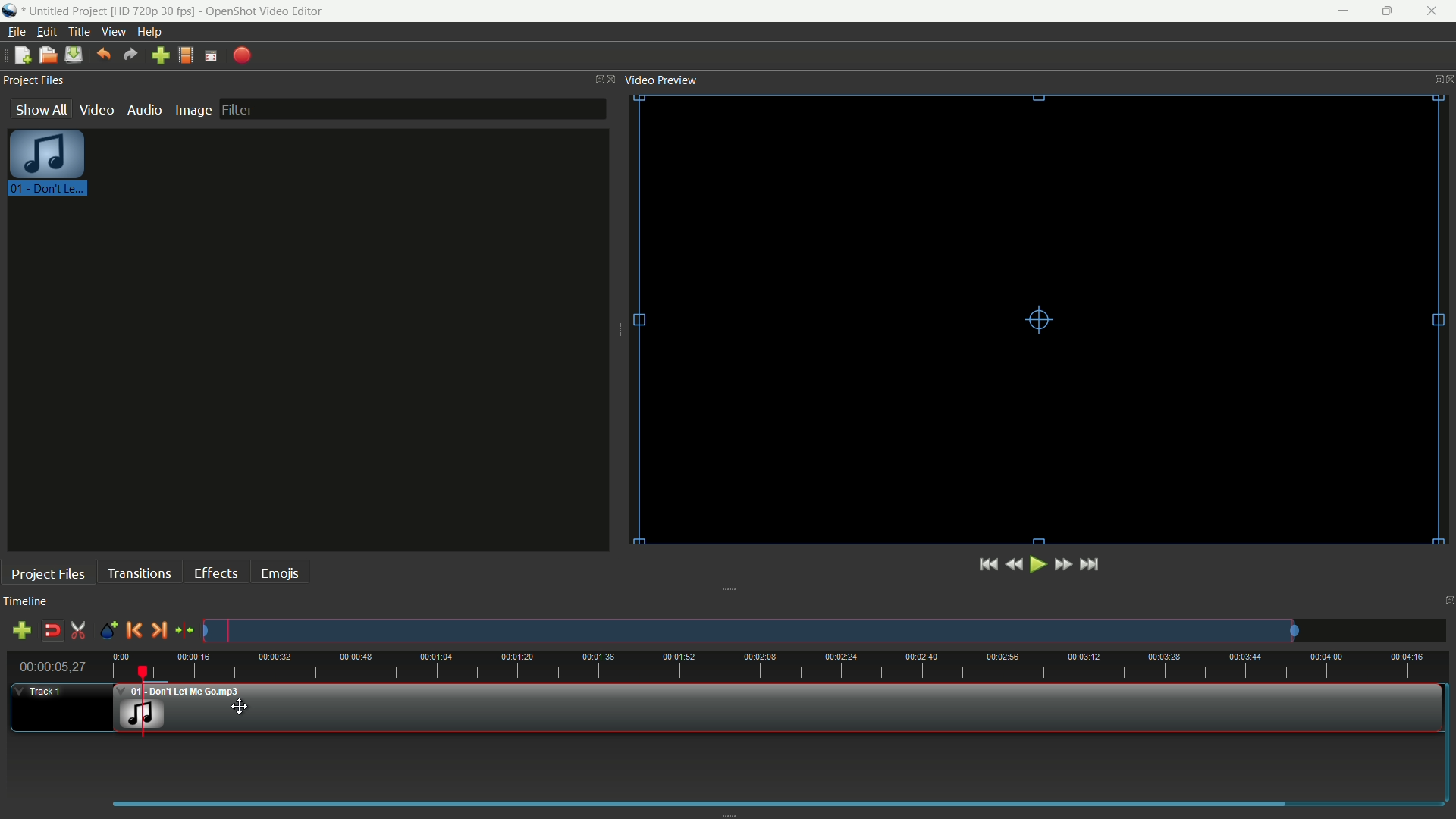 Image resolution: width=1456 pixels, height=819 pixels. What do you see at coordinates (243, 55) in the screenshot?
I see `export` at bounding box center [243, 55].